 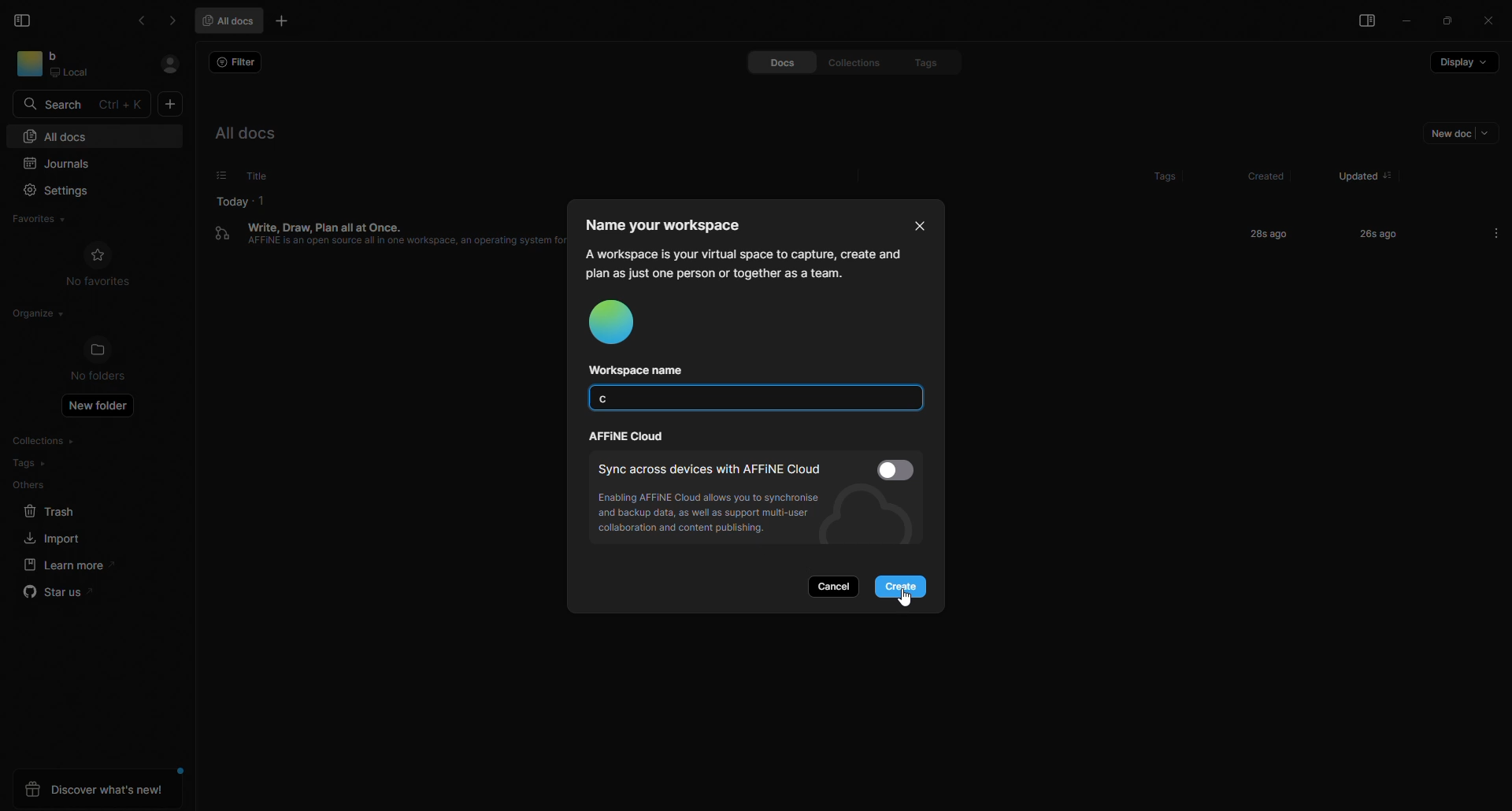 What do you see at coordinates (64, 565) in the screenshot?
I see `learn more` at bounding box center [64, 565].